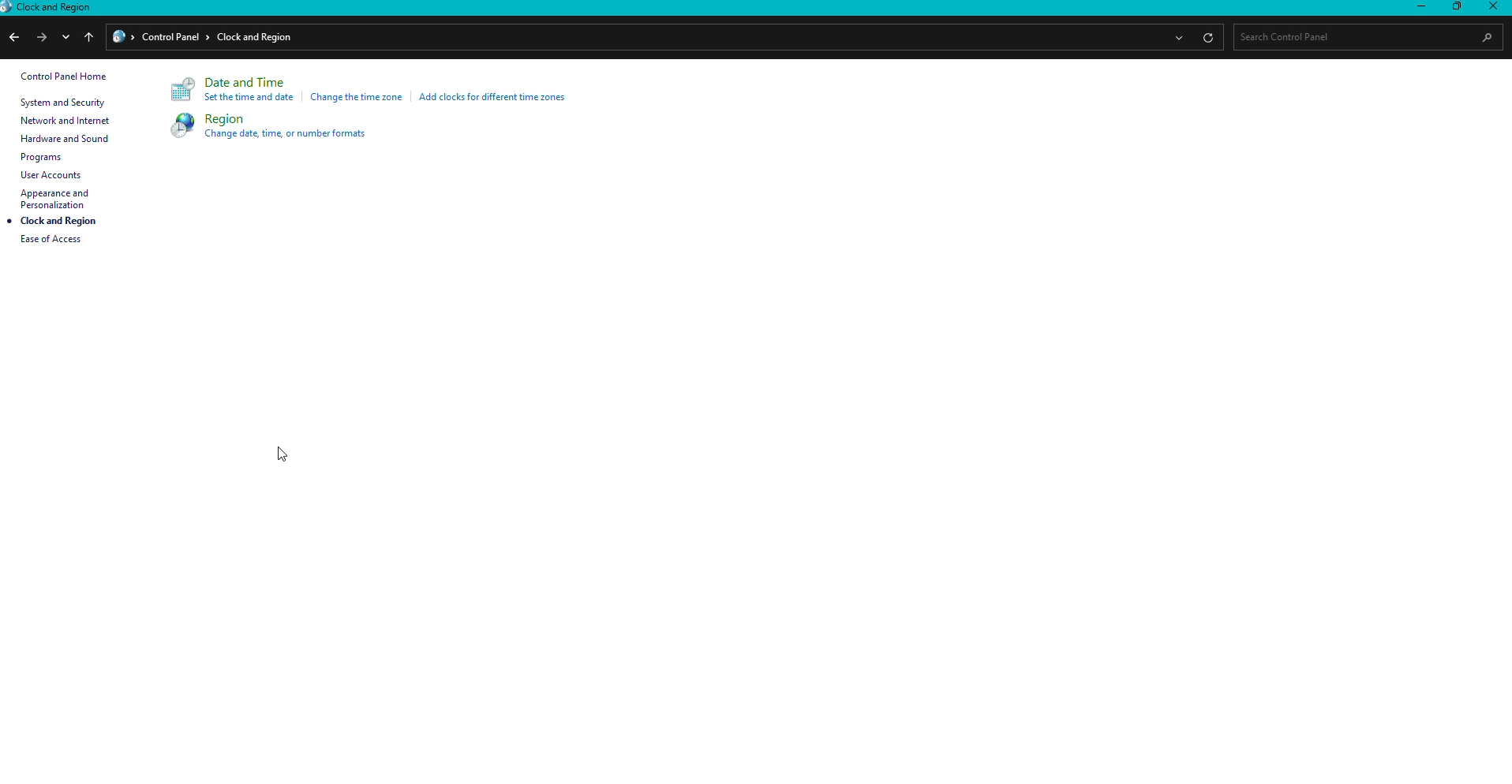 Image resolution: width=1512 pixels, height=784 pixels. Describe the element at coordinates (91, 39) in the screenshot. I see `up` at that location.